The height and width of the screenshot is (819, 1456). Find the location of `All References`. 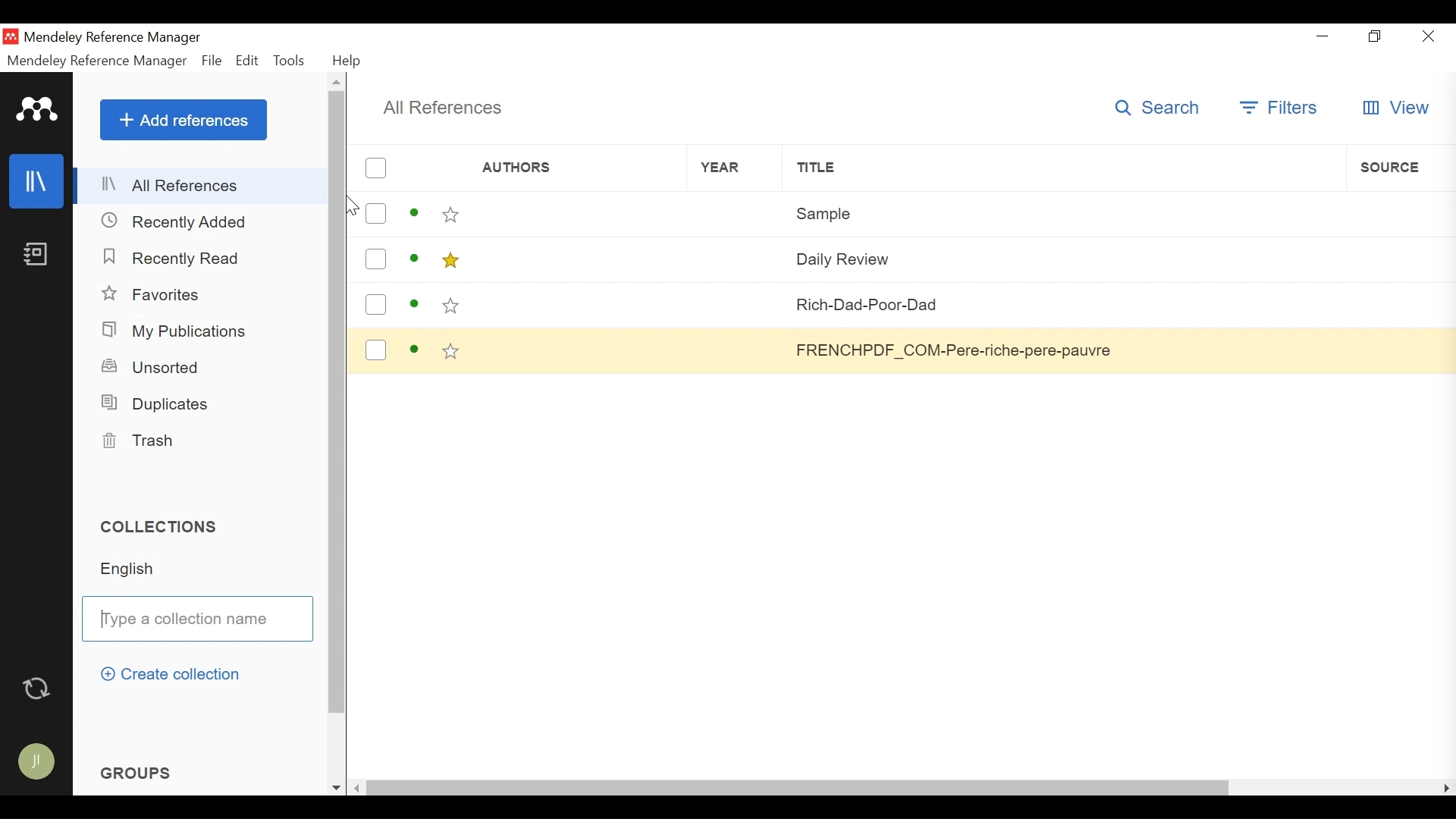

All References is located at coordinates (442, 108).